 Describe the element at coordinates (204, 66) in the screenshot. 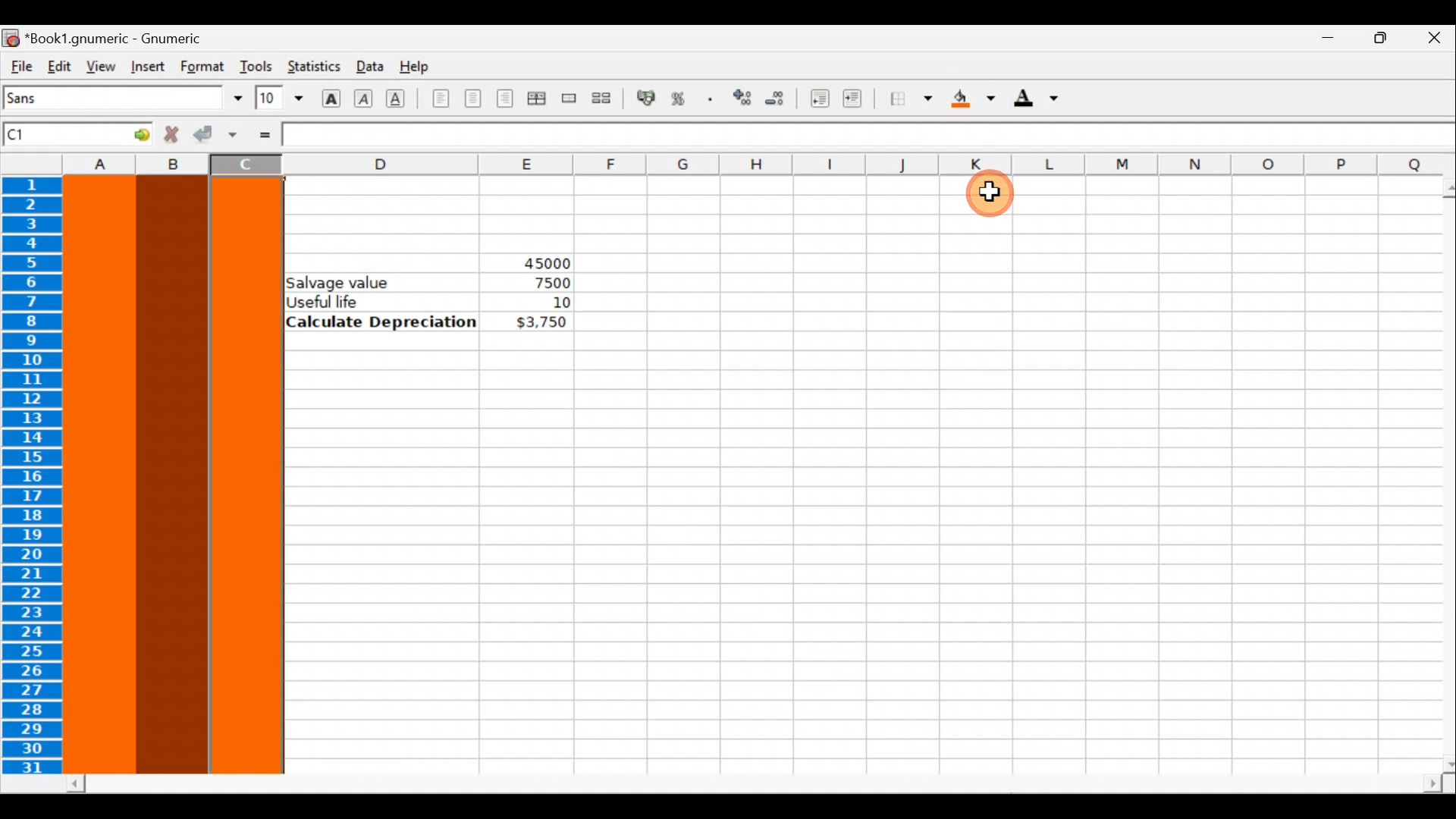

I see `Format` at that location.